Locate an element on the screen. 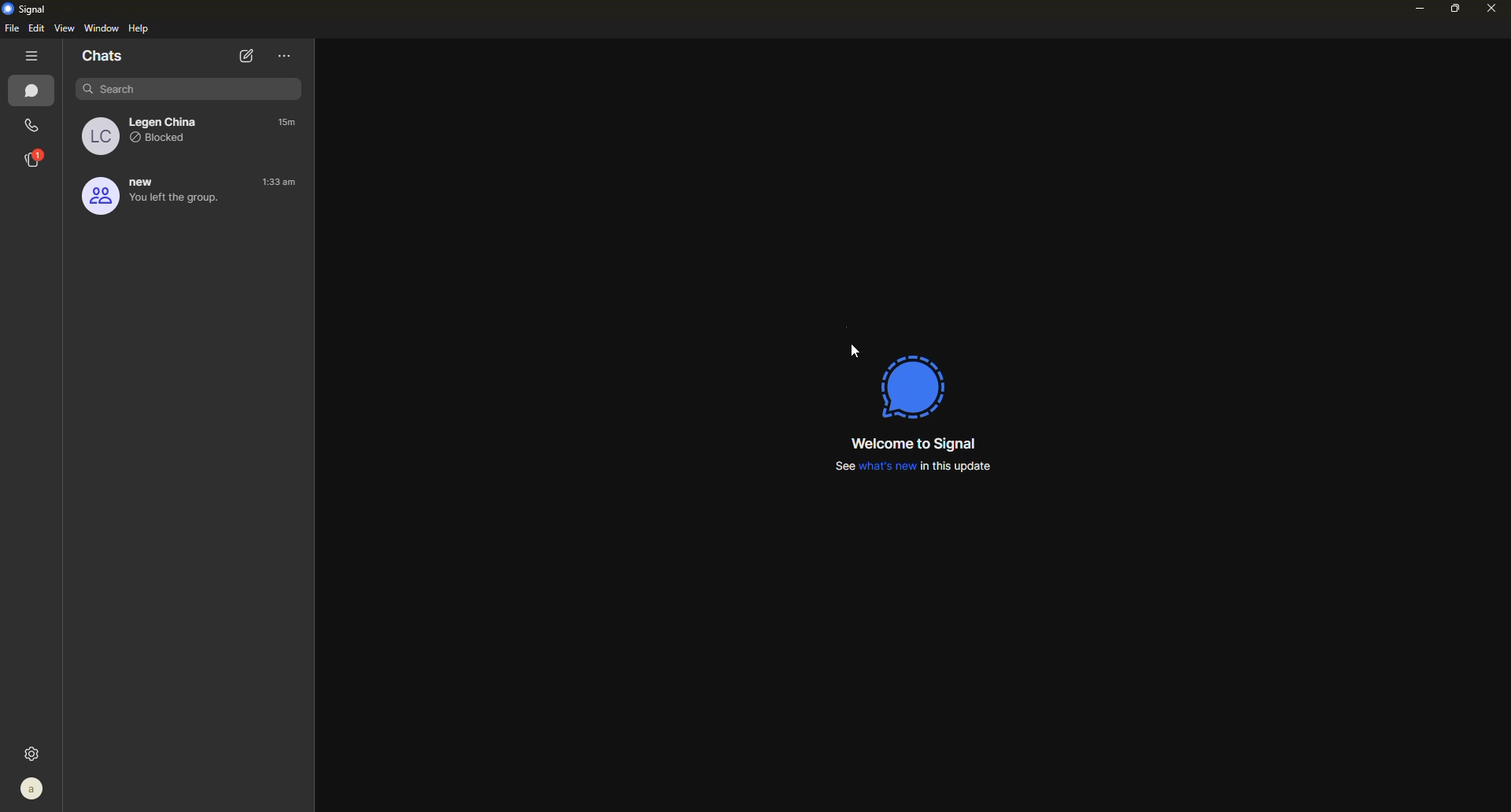 This screenshot has height=812, width=1511. time is located at coordinates (281, 183).